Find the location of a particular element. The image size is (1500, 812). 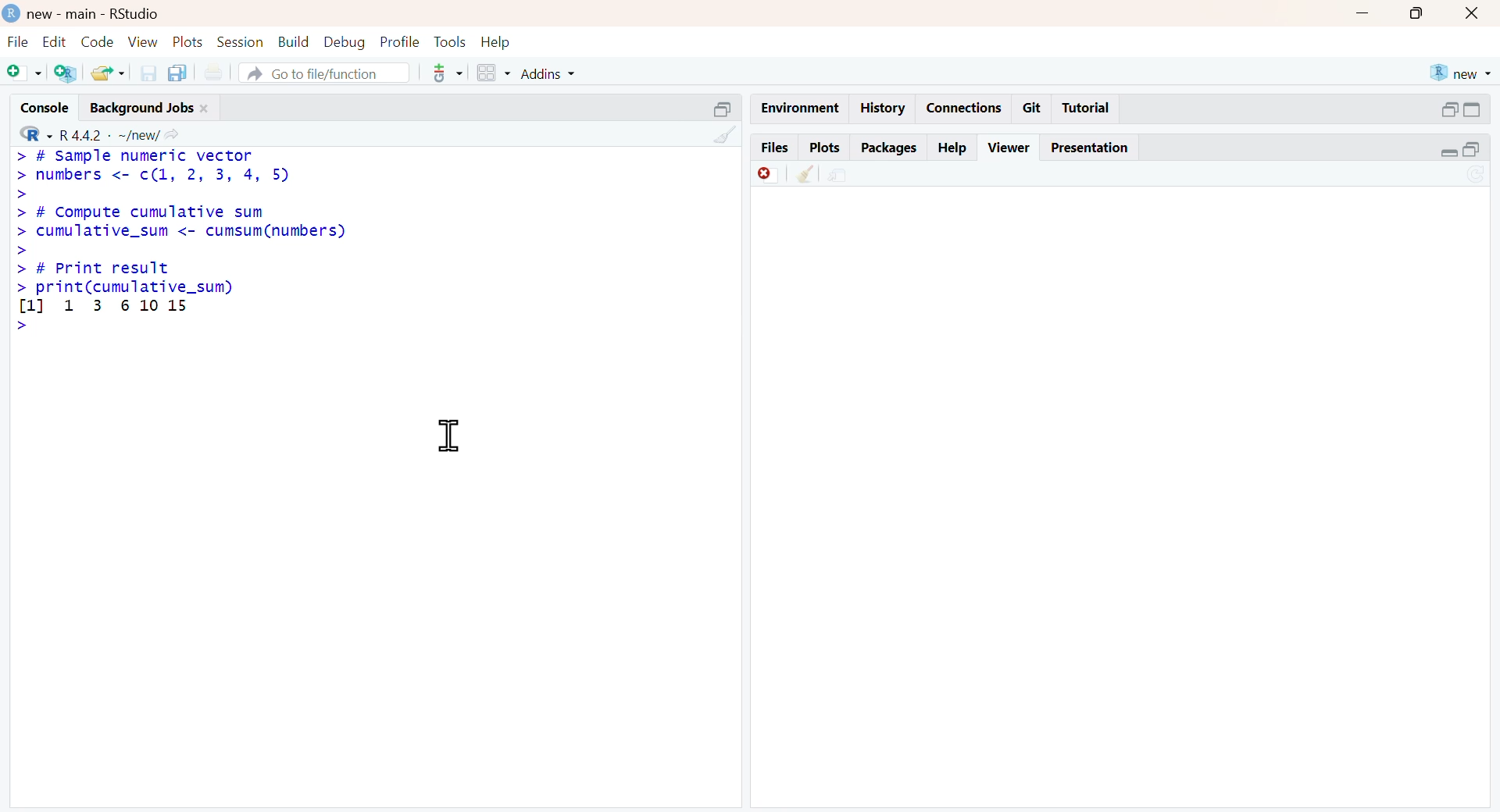

logo is located at coordinates (12, 14).